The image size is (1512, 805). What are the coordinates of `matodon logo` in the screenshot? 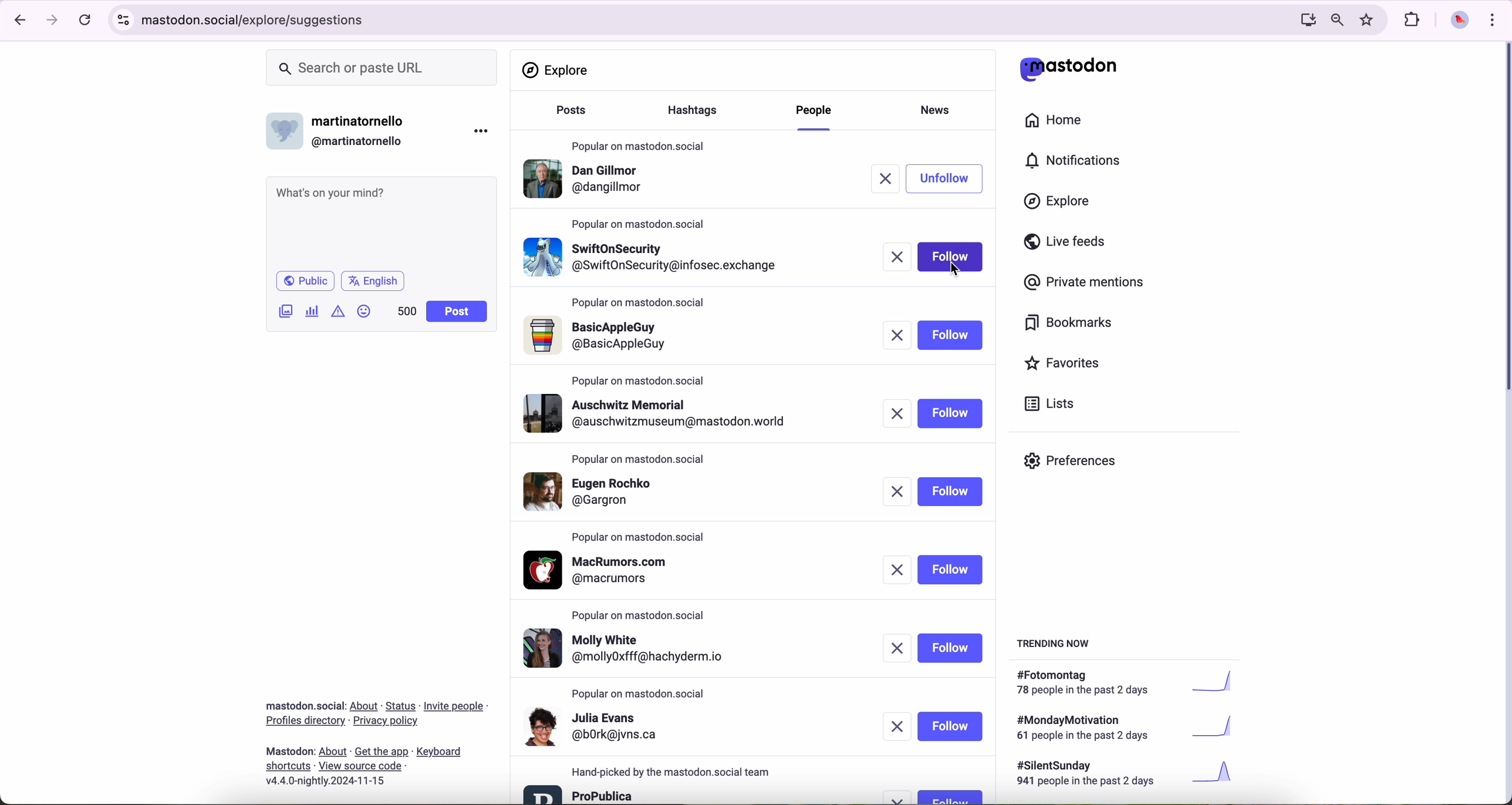 It's located at (1069, 69).